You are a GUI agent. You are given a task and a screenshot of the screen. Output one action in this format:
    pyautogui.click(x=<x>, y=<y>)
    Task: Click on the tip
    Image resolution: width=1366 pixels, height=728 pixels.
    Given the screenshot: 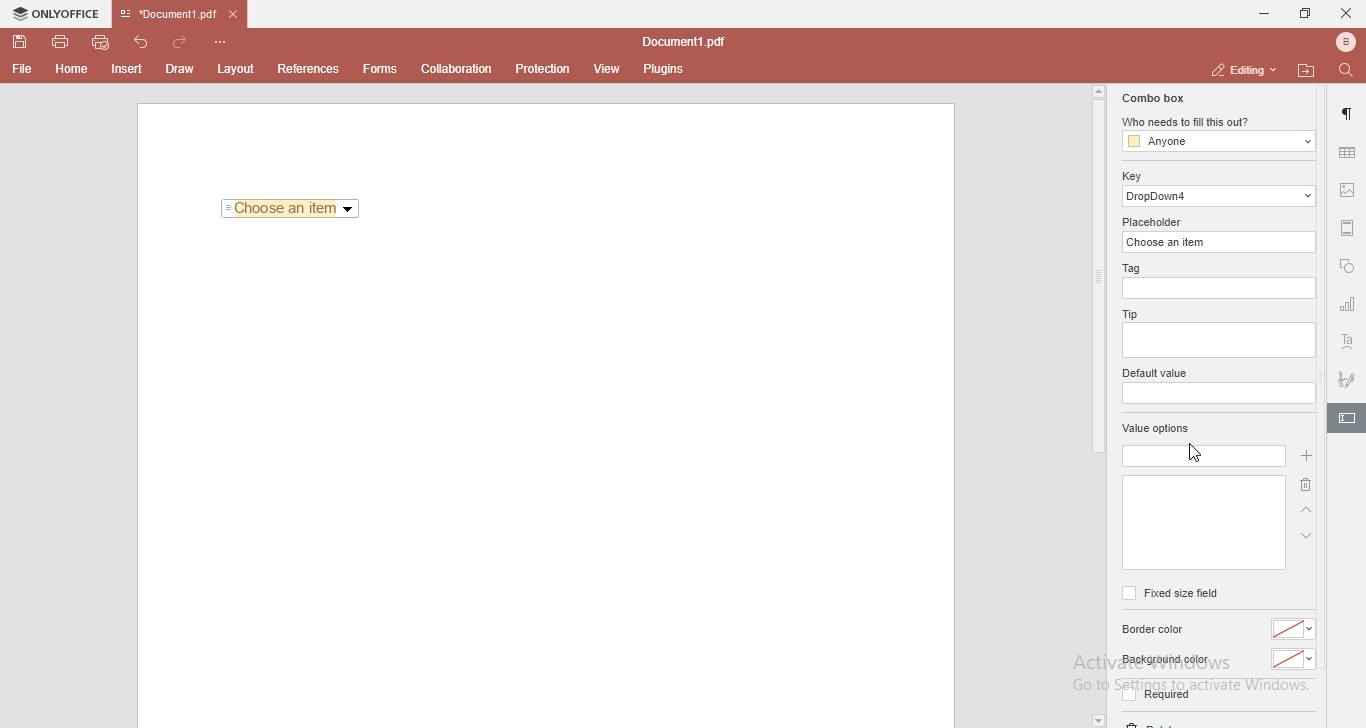 What is the action you would take?
    pyautogui.click(x=1127, y=313)
    